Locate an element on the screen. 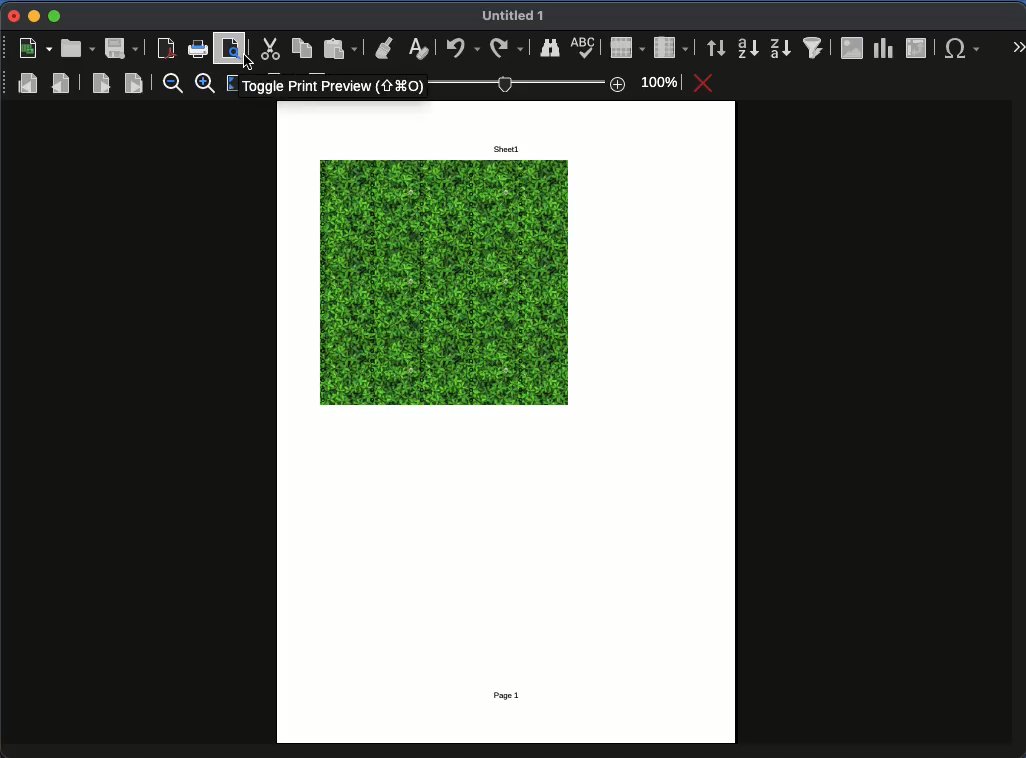 Image resolution: width=1026 pixels, height=758 pixels. special character is located at coordinates (961, 48).